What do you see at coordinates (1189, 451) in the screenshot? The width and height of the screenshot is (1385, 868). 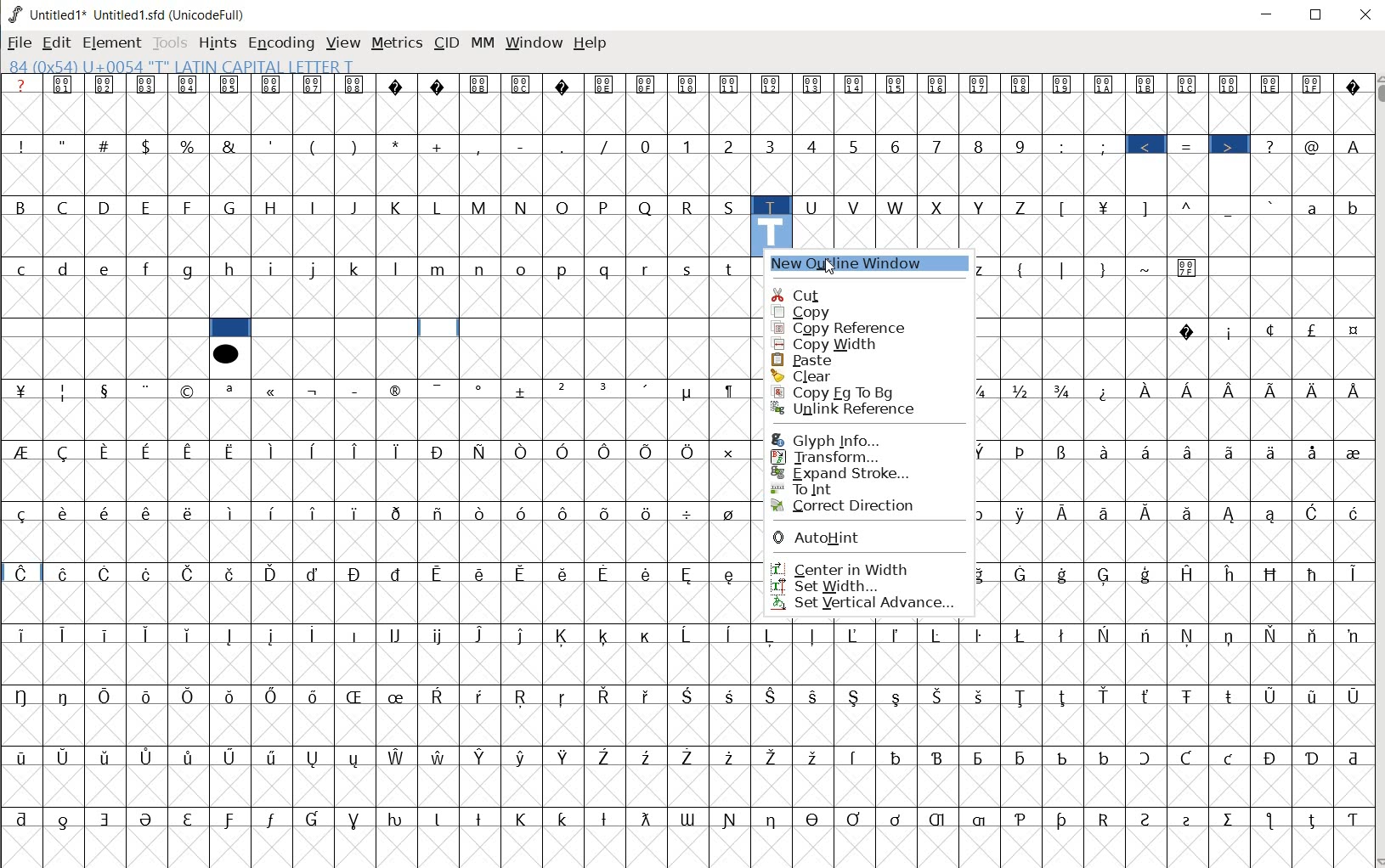 I see `Symbol` at bounding box center [1189, 451].